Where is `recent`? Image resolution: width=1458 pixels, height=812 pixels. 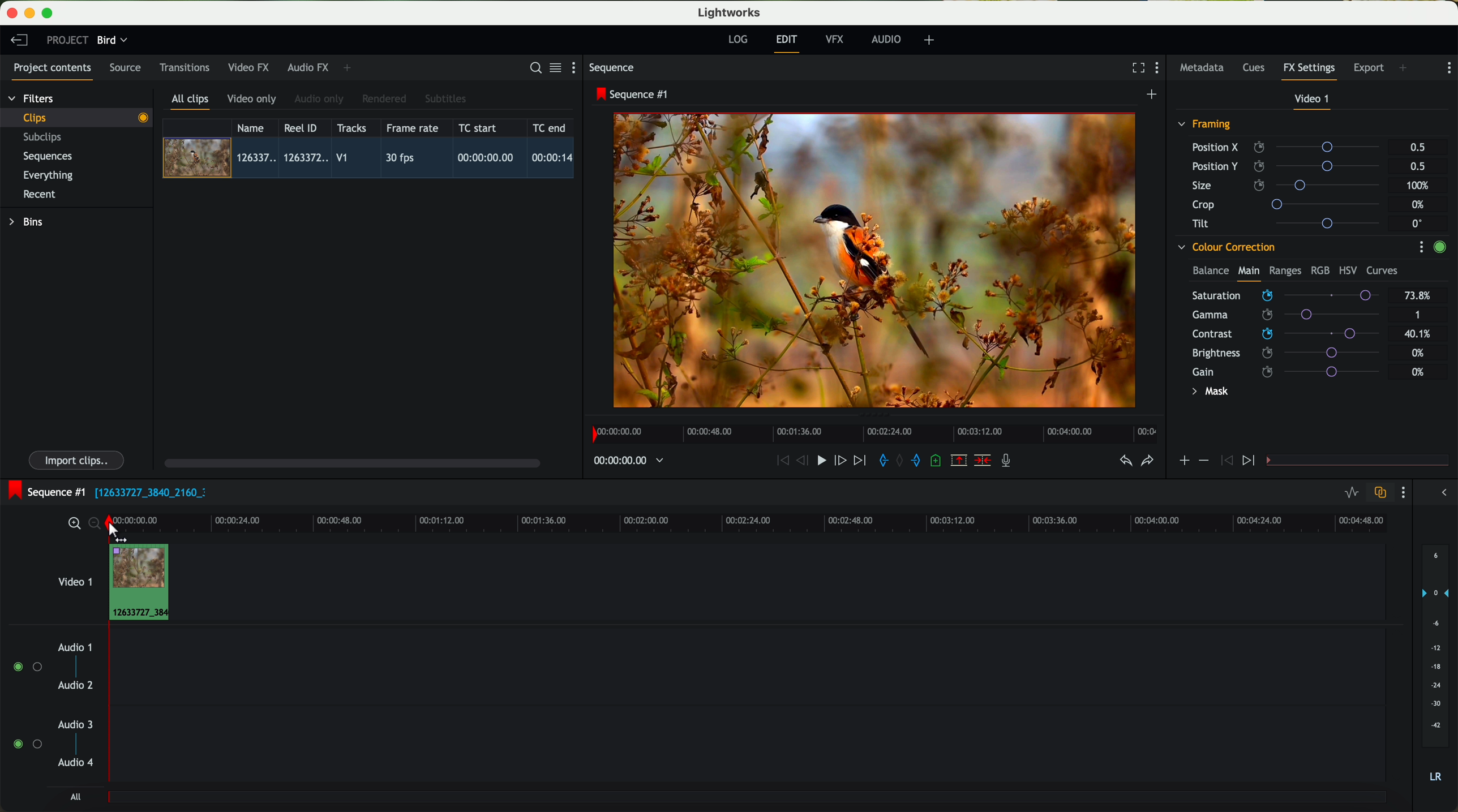
recent is located at coordinates (40, 196).